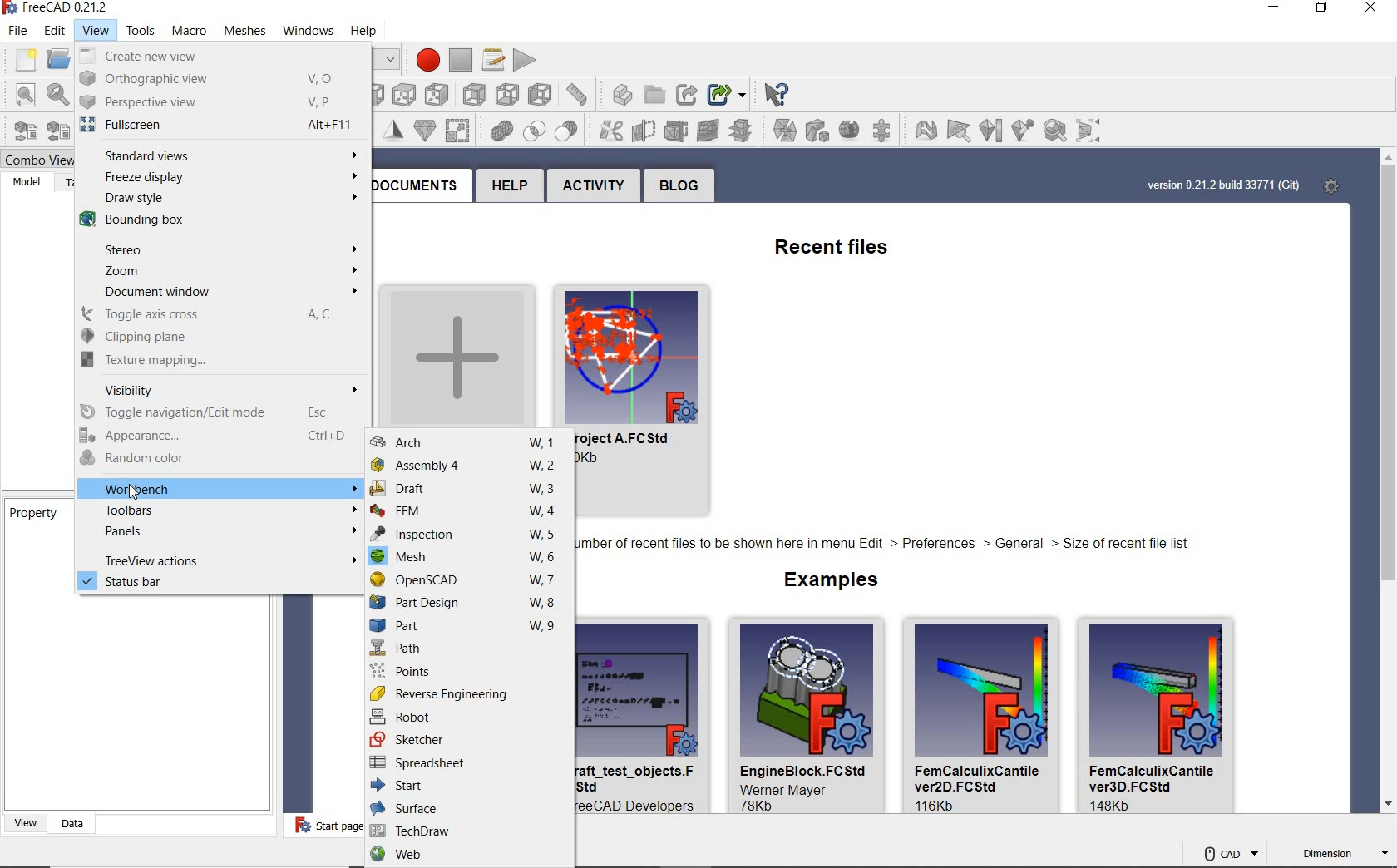  Describe the element at coordinates (468, 628) in the screenshot. I see `part` at that location.